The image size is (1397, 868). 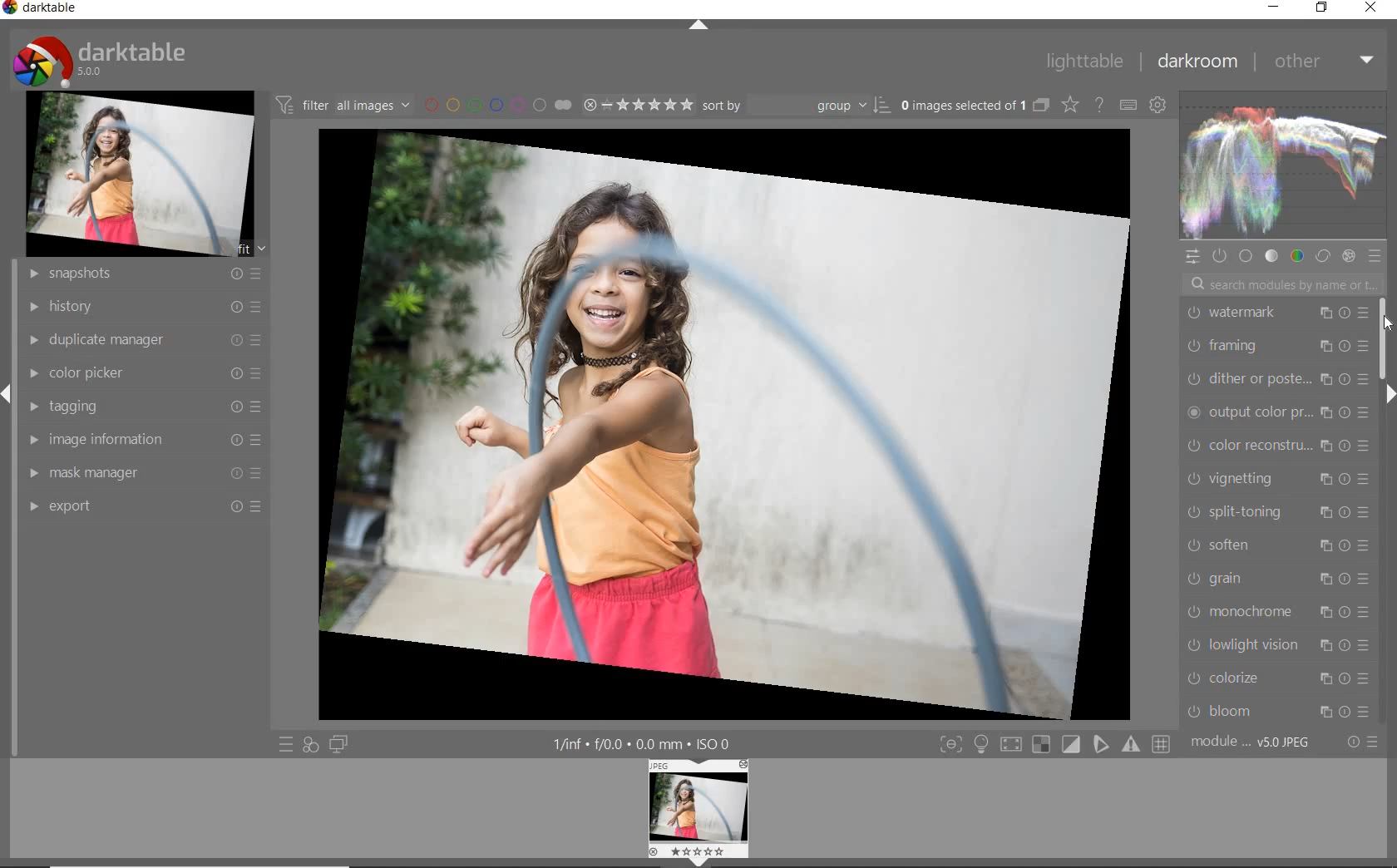 I want to click on selected images, so click(x=964, y=106).